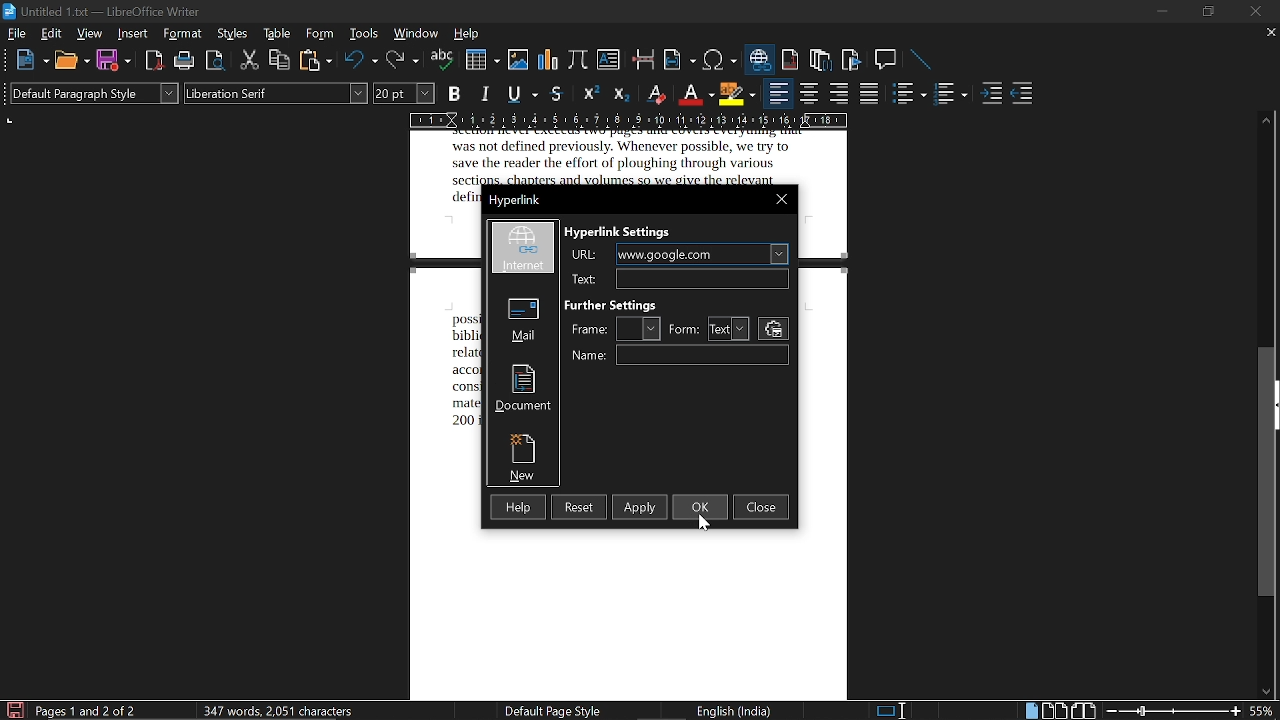  What do you see at coordinates (1267, 474) in the screenshot?
I see `vertical scrollbar` at bounding box center [1267, 474].